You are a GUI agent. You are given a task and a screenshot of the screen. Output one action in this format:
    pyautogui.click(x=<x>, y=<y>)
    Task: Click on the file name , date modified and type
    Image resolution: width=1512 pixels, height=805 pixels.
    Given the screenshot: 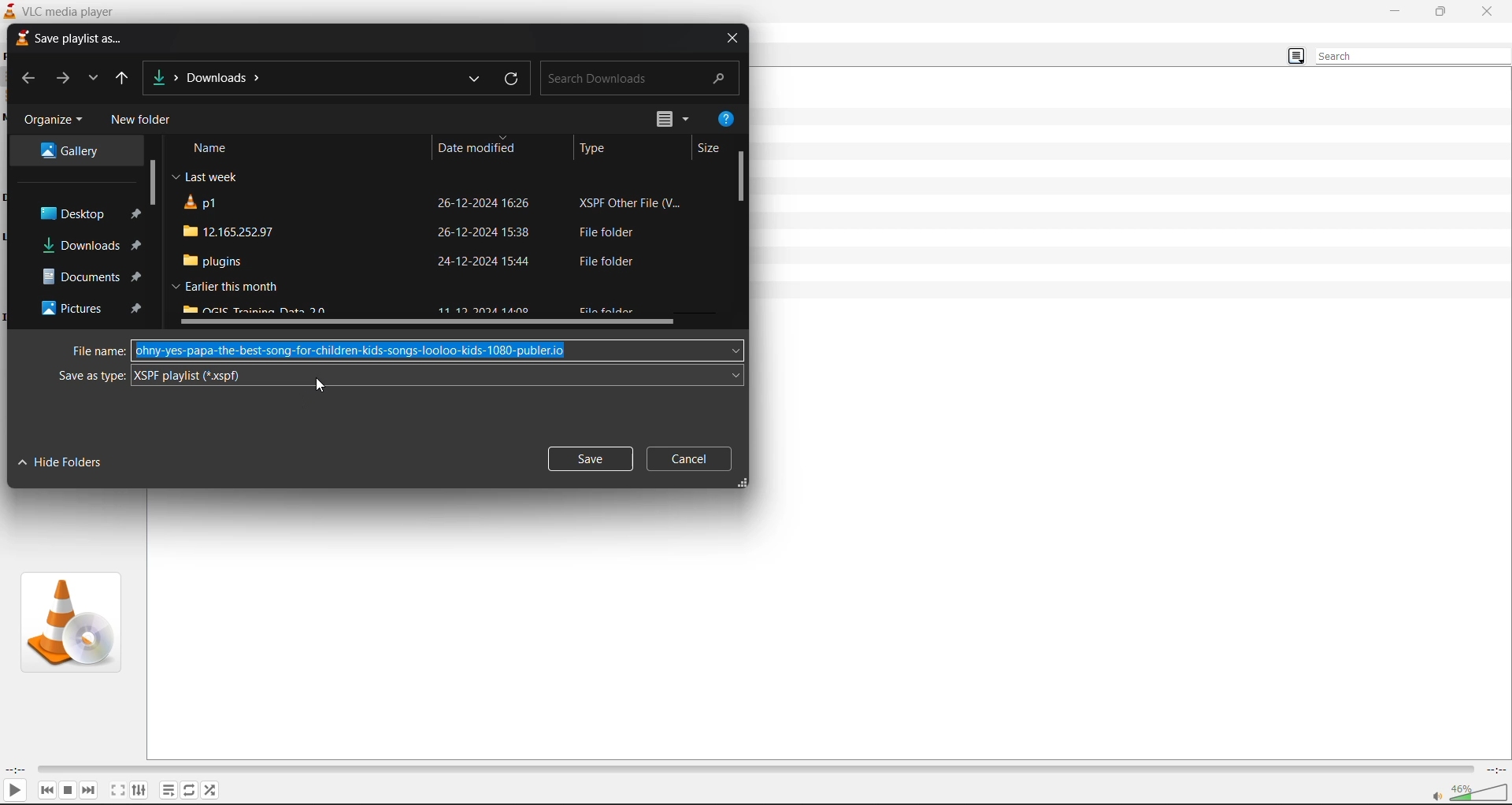 What is the action you would take?
    pyautogui.click(x=435, y=205)
    